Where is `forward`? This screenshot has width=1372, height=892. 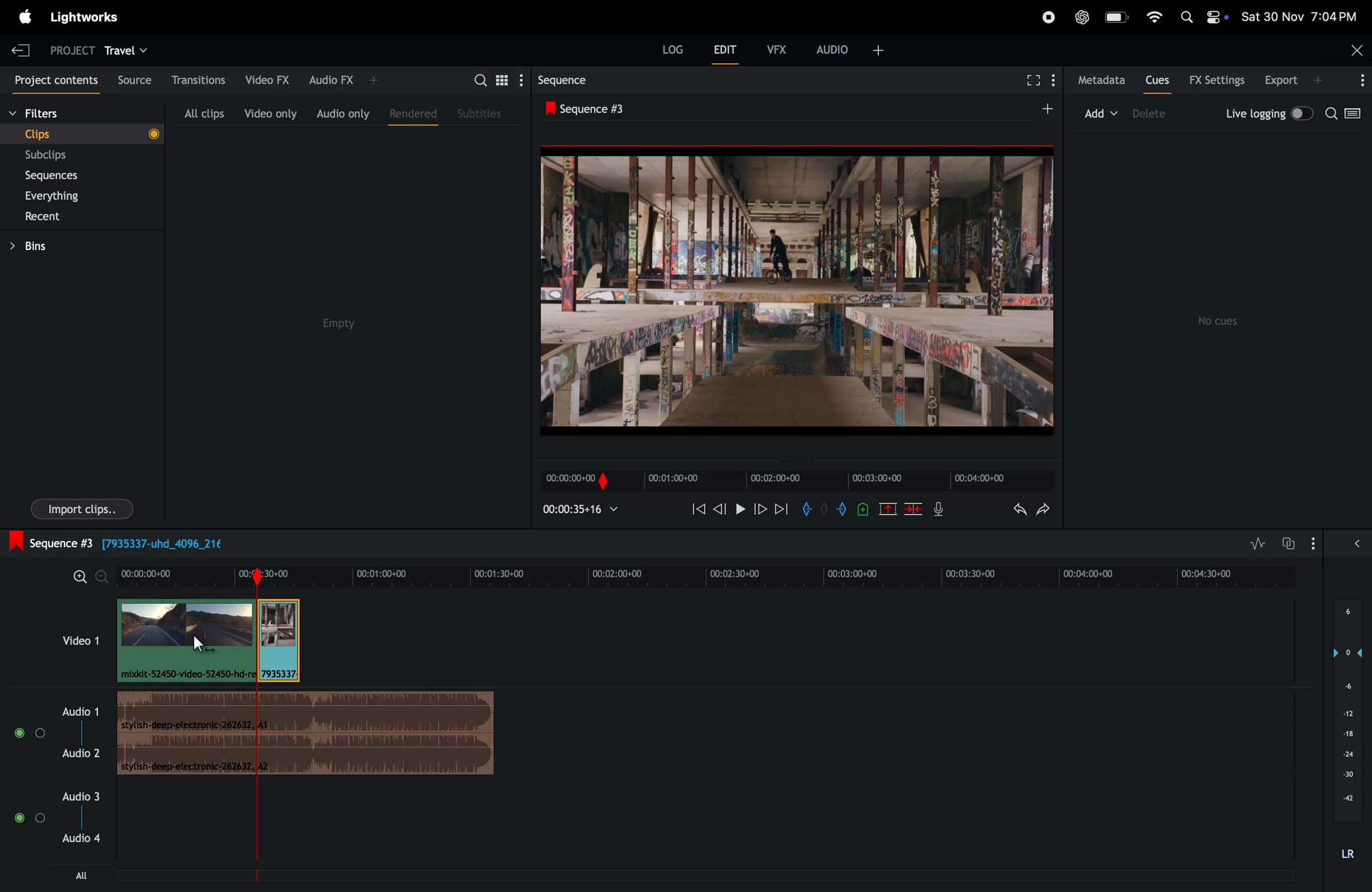
forward is located at coordinates (760, 511).